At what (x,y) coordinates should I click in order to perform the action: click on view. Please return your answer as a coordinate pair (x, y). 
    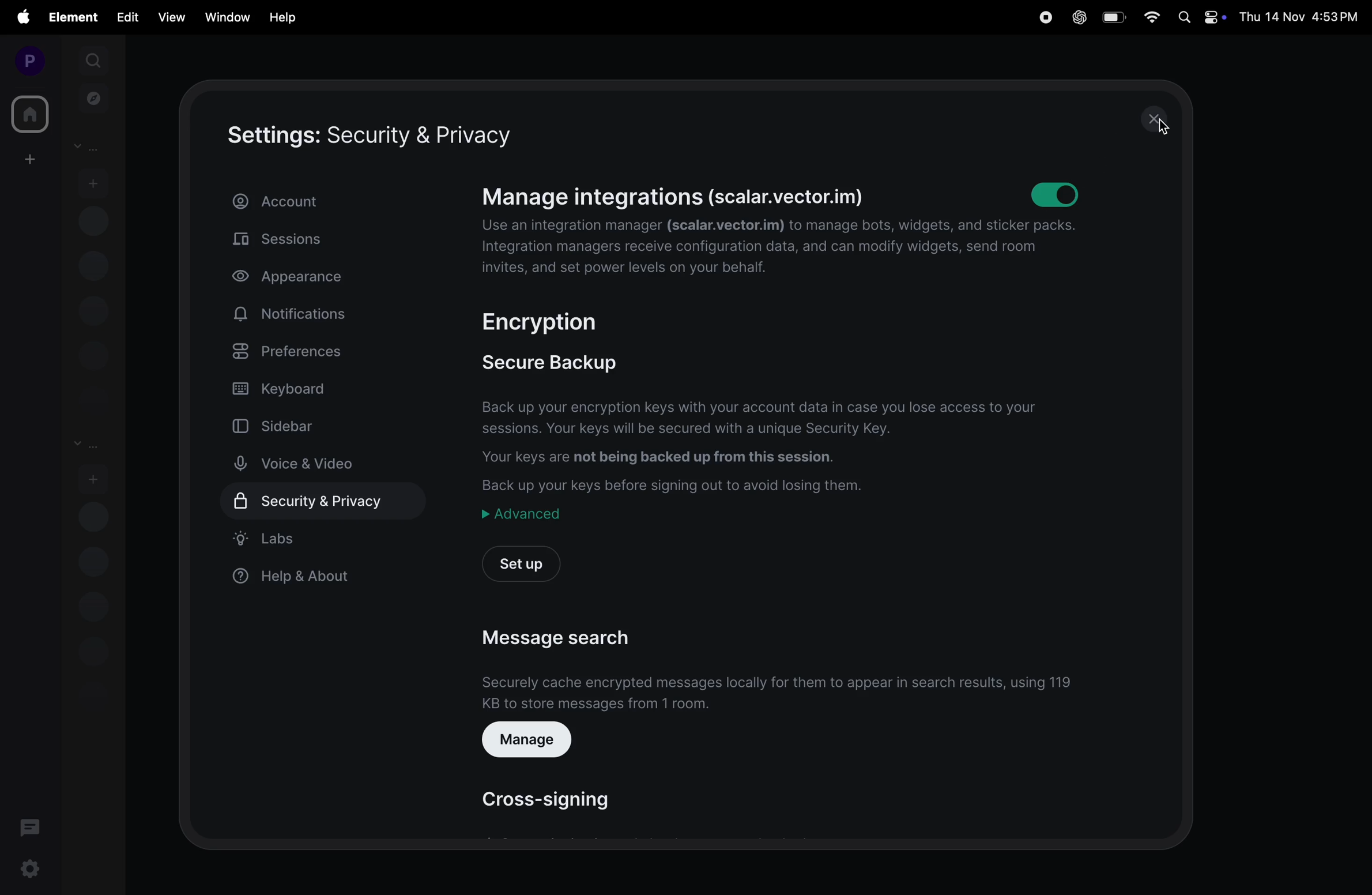
    Looking at the image, I should click on (169, 18).